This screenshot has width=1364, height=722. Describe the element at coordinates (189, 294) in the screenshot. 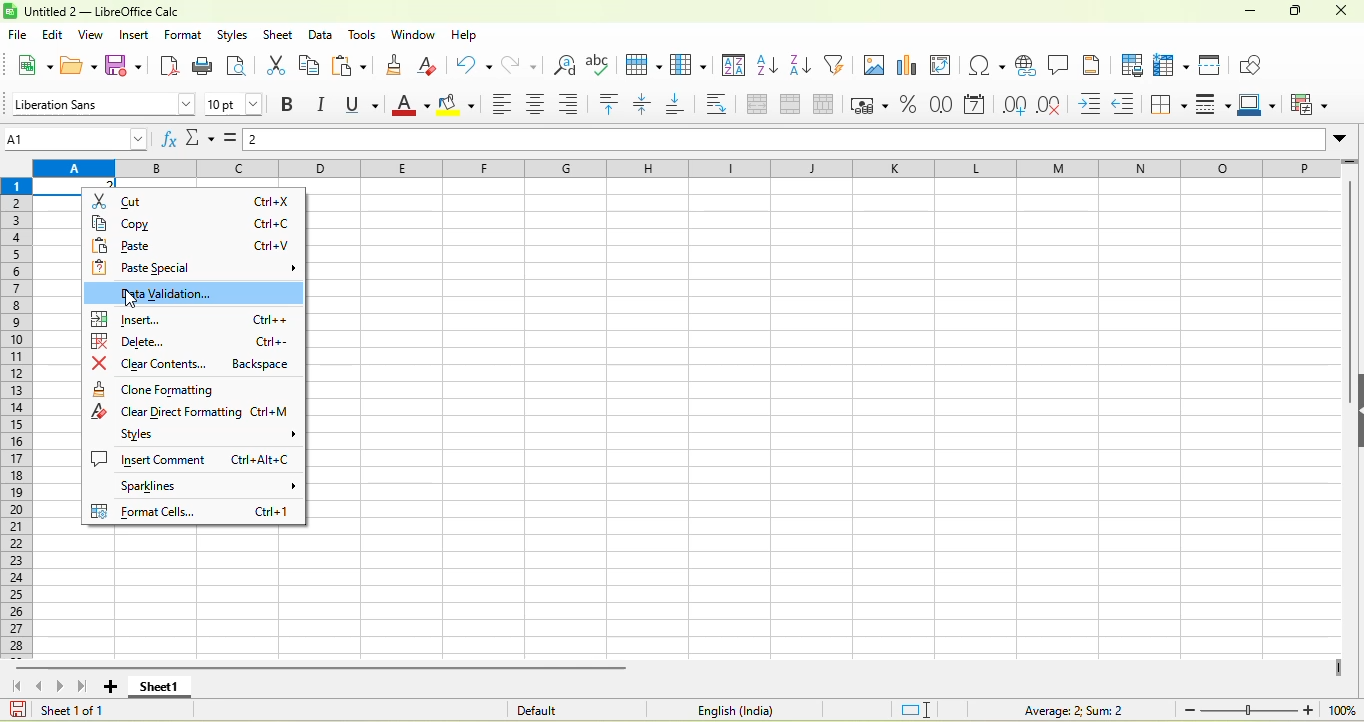

I see `data validation` at that location.